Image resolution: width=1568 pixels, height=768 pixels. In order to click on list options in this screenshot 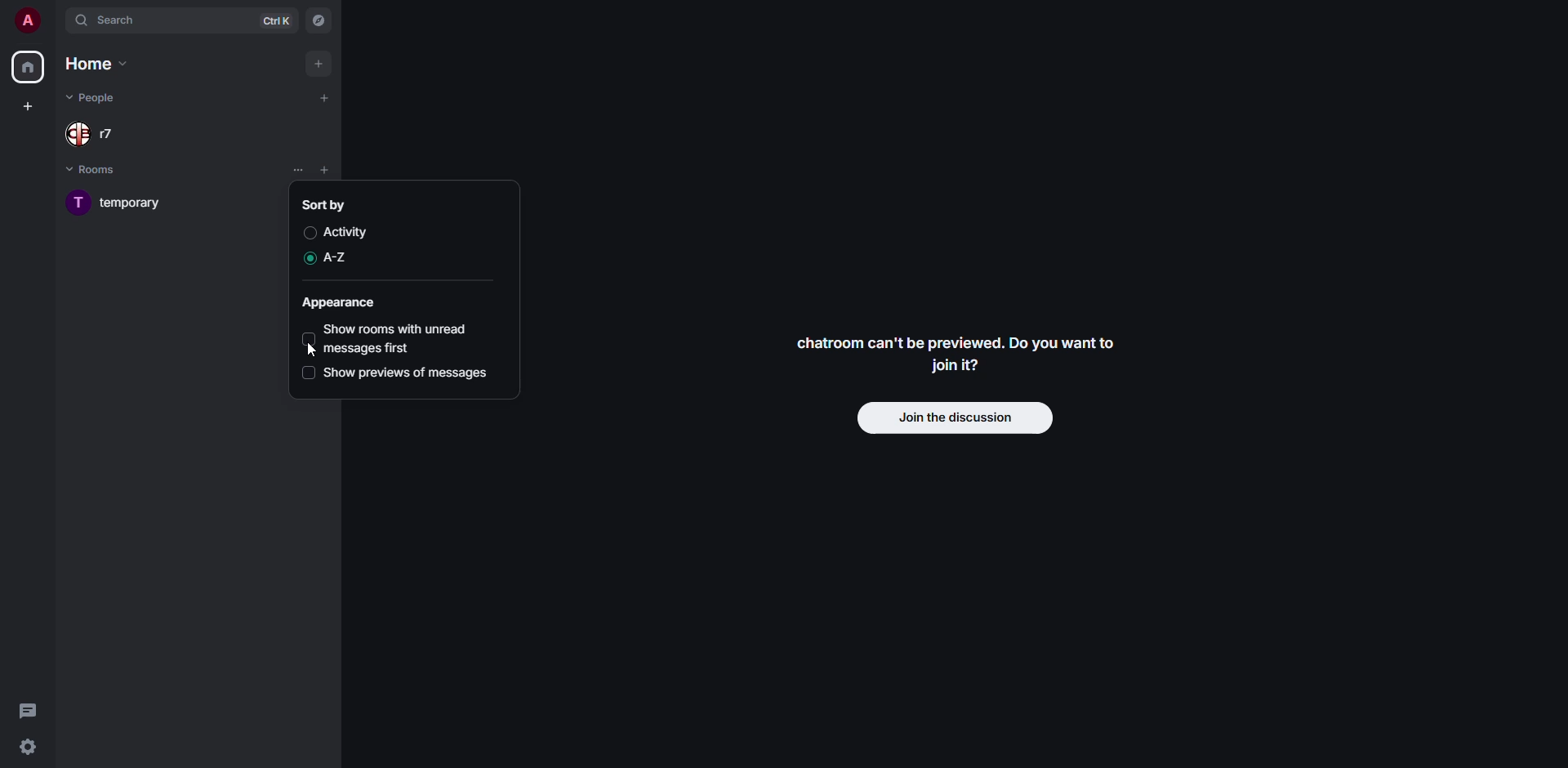, I will do `click(346, 171)`.